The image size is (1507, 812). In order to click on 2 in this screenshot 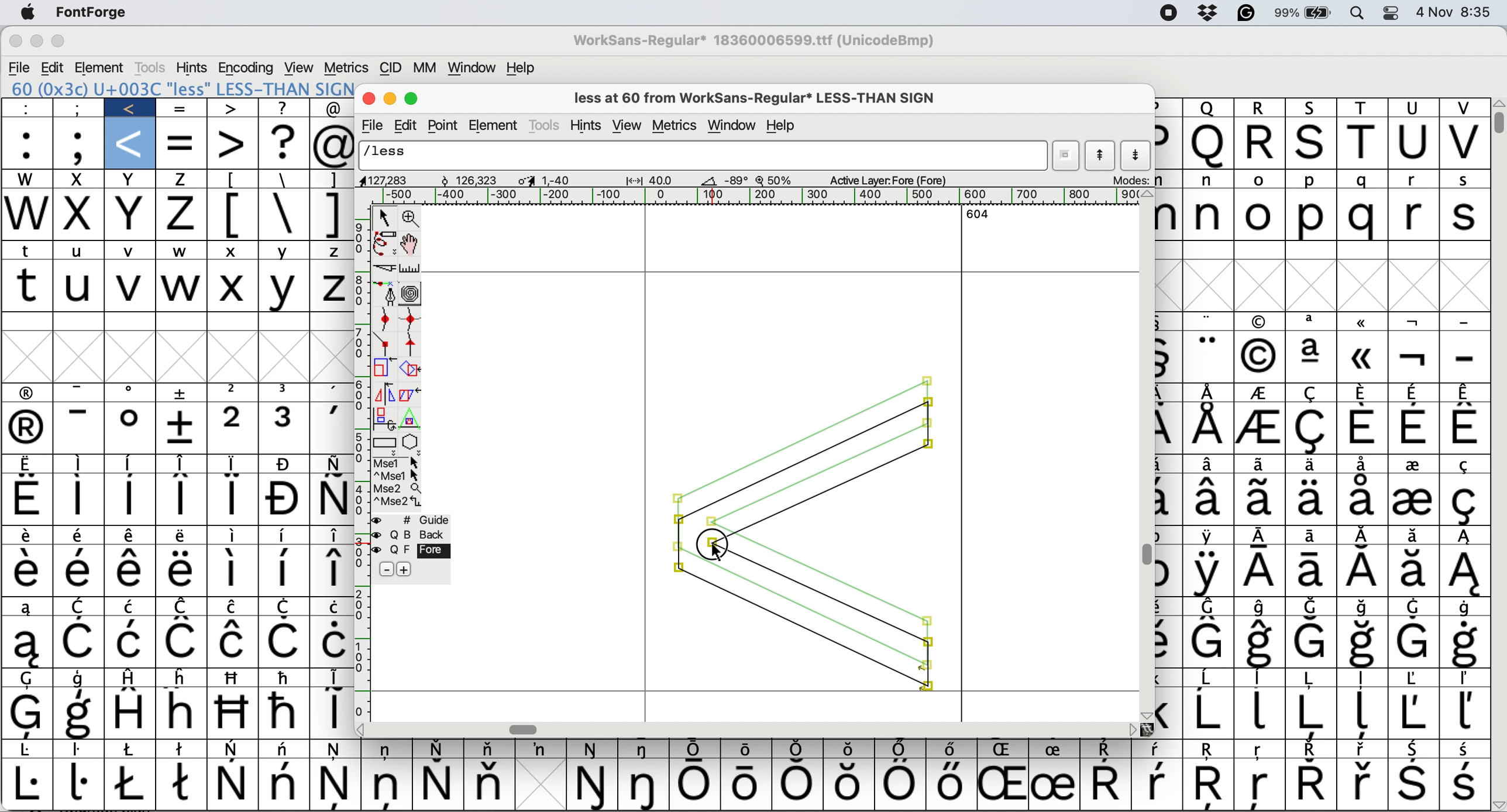, I will do `click(234, 428)`.